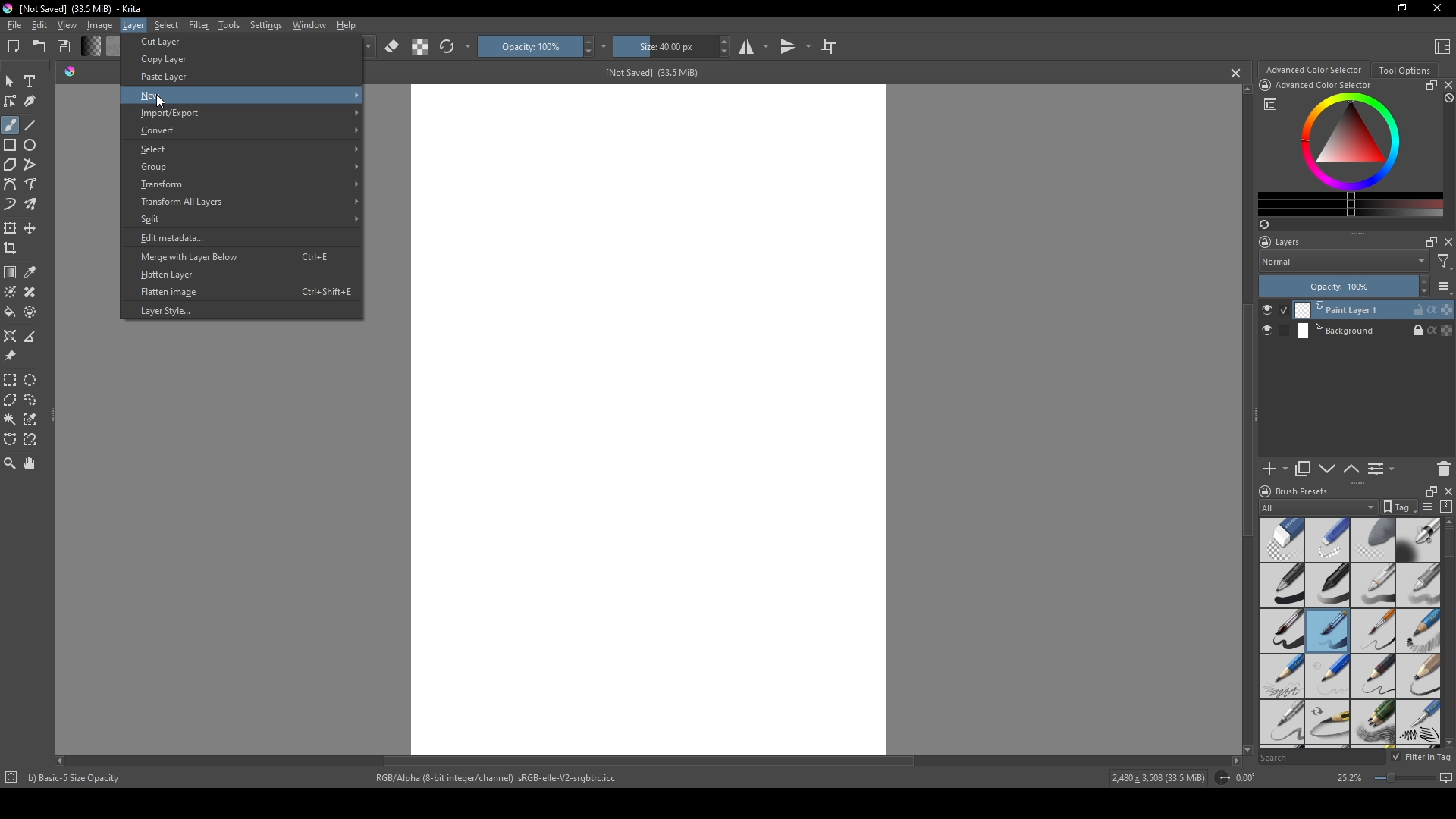  I want to click on Settings, so click(265, 25).